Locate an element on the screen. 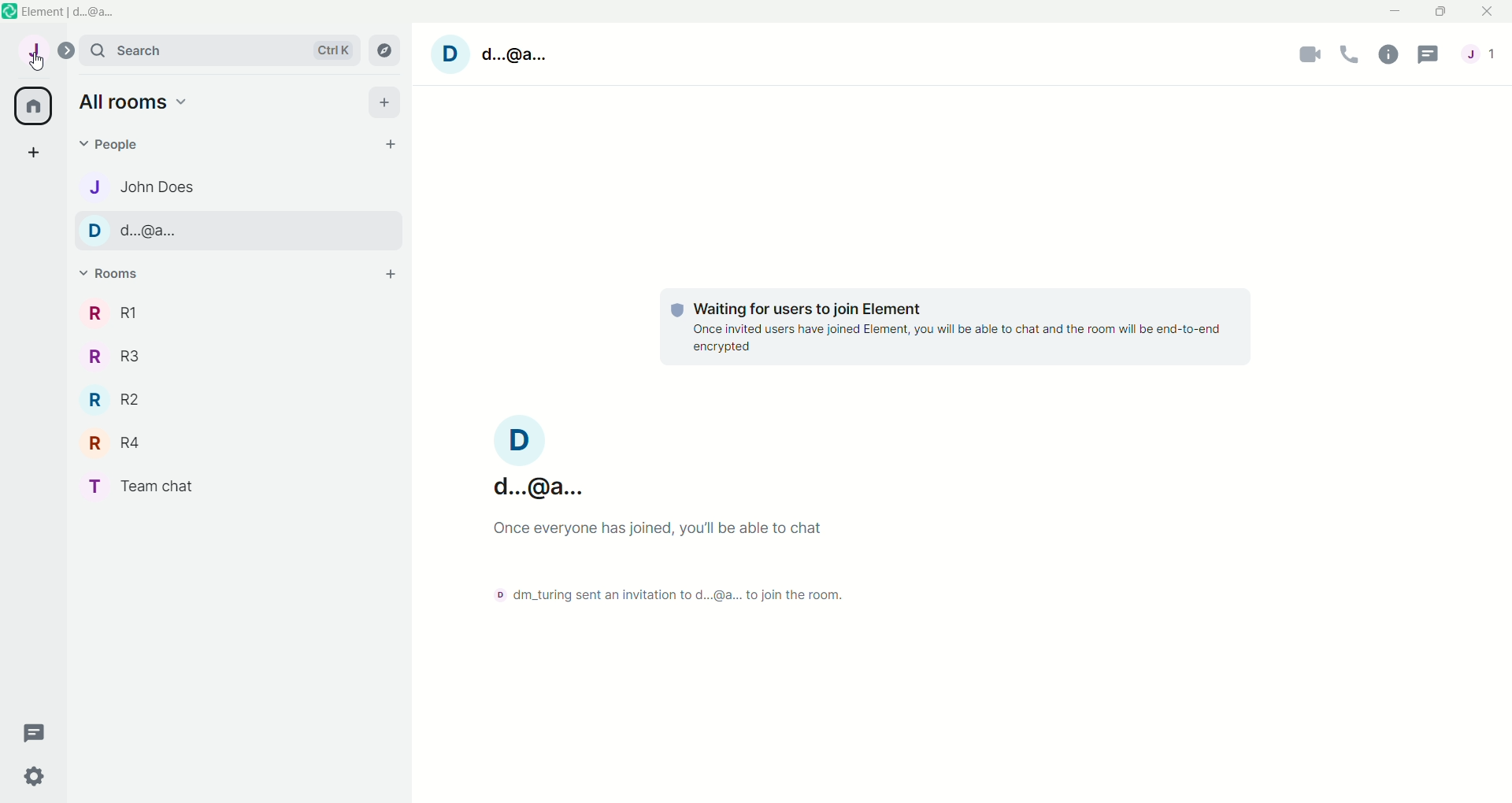 This screenshot has width=1512, height=803. J is located at coordinates (34, 50).